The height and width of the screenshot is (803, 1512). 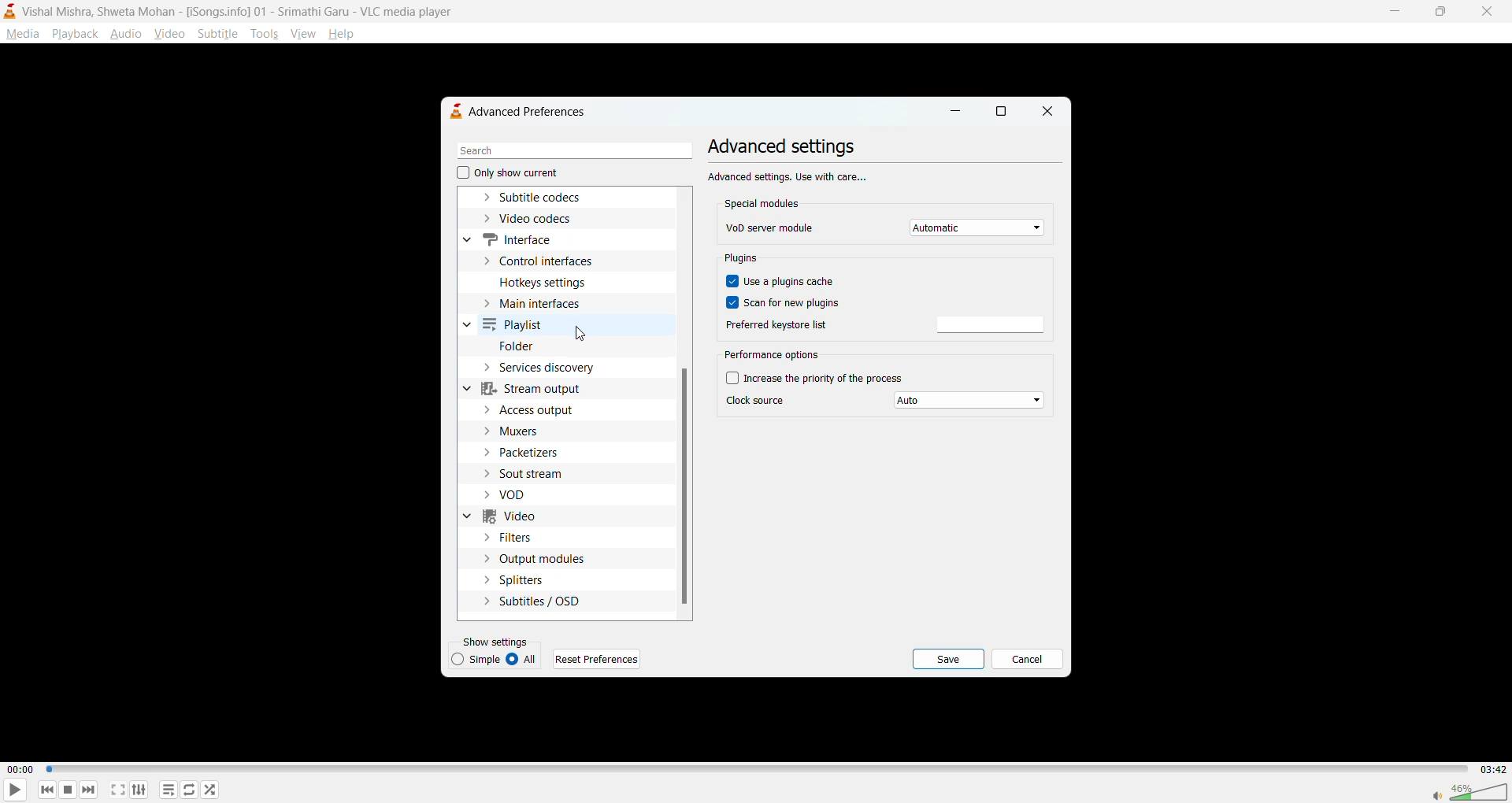 What do you see at coordinates (765, 204) in the screenshot?
I see `special modules` at bounding box center [765, 204].